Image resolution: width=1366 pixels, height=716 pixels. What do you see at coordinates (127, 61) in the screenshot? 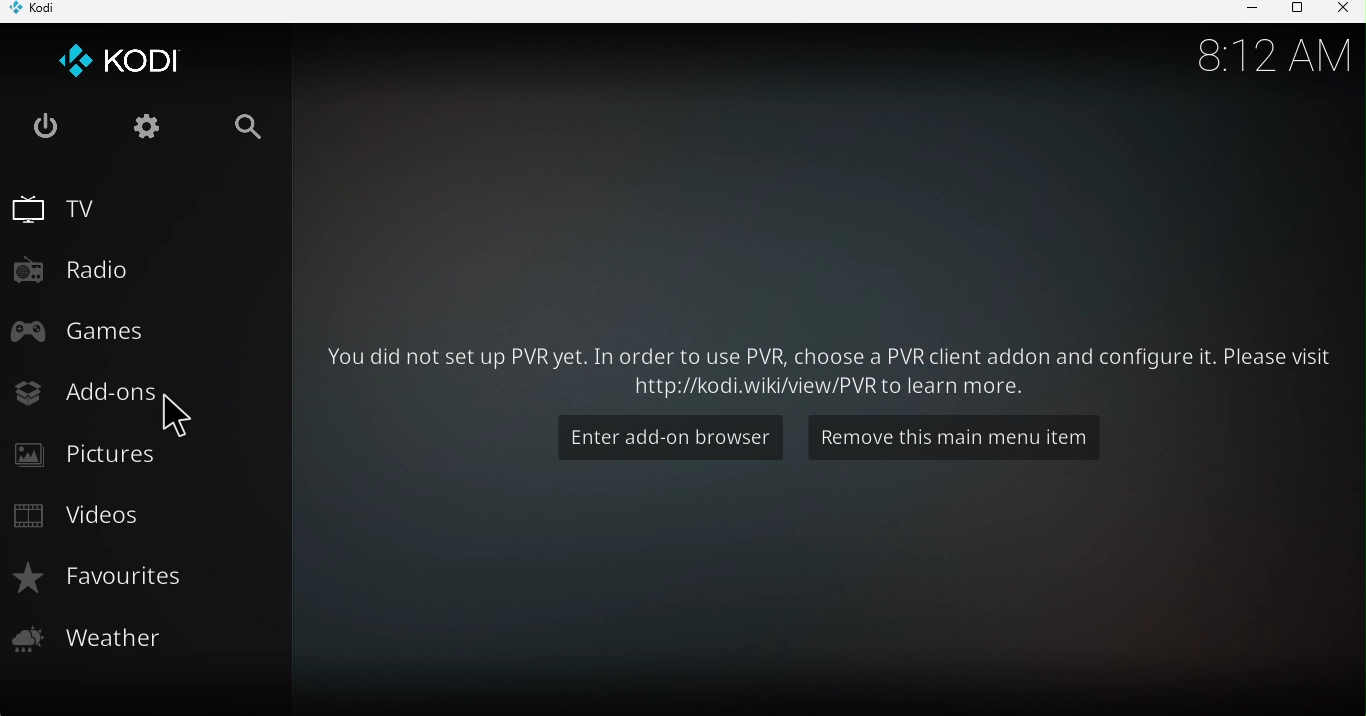
I see `KODI icon` at bounding box center [127, 61].